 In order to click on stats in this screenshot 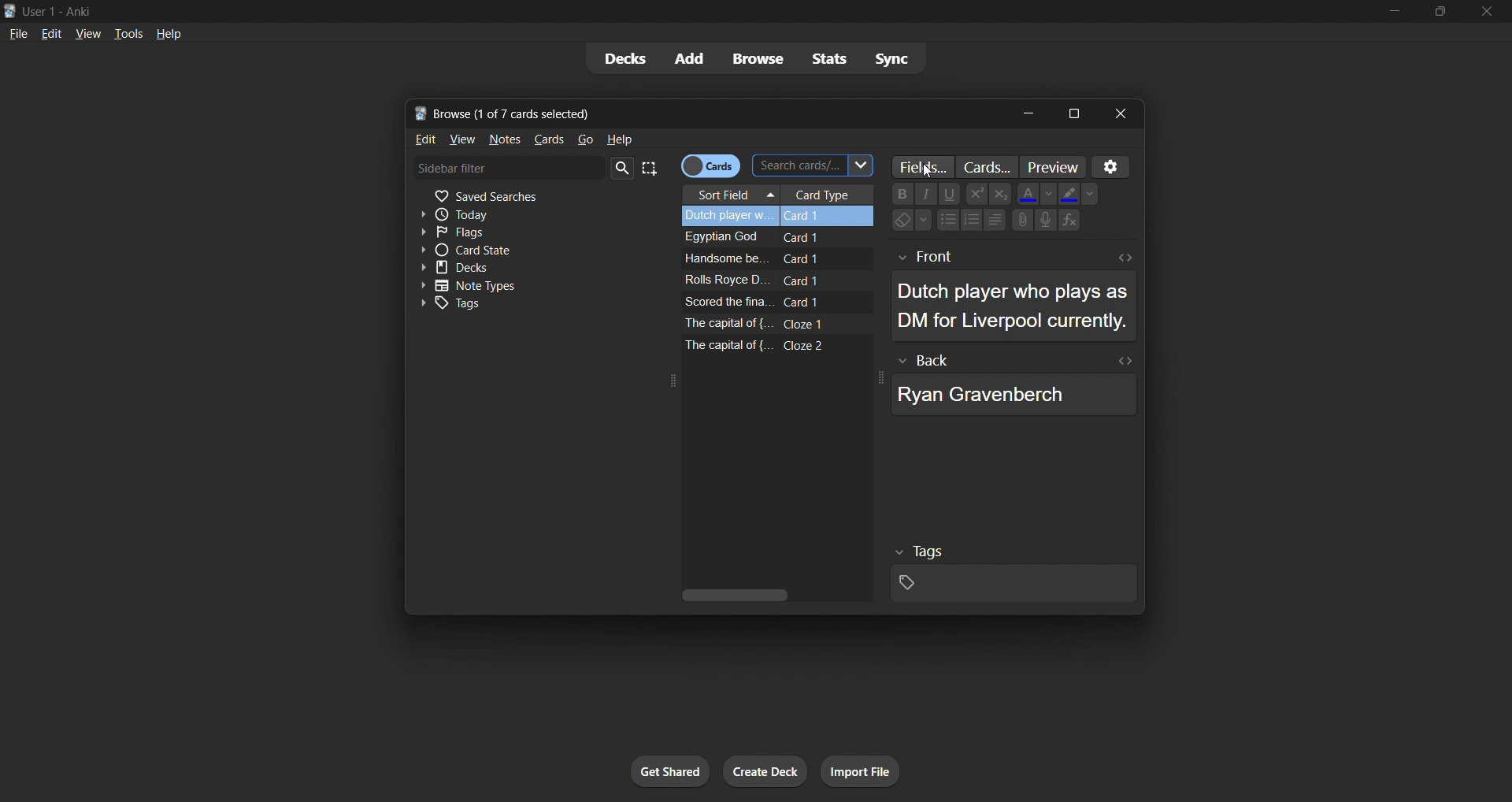, I will do `click(828, 60)`.